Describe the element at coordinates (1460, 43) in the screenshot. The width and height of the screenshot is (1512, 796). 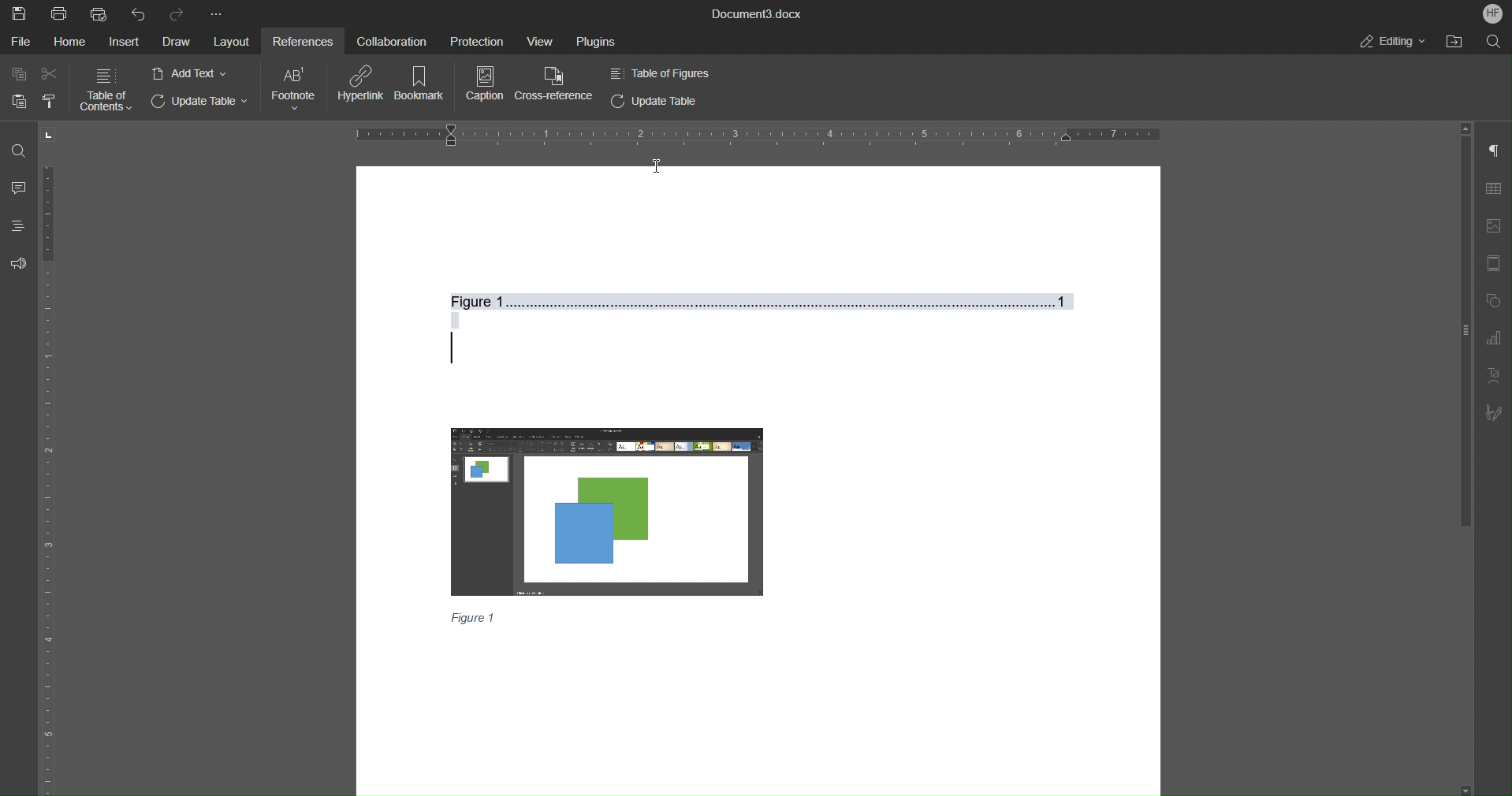
I see `Open File Location` at that location.